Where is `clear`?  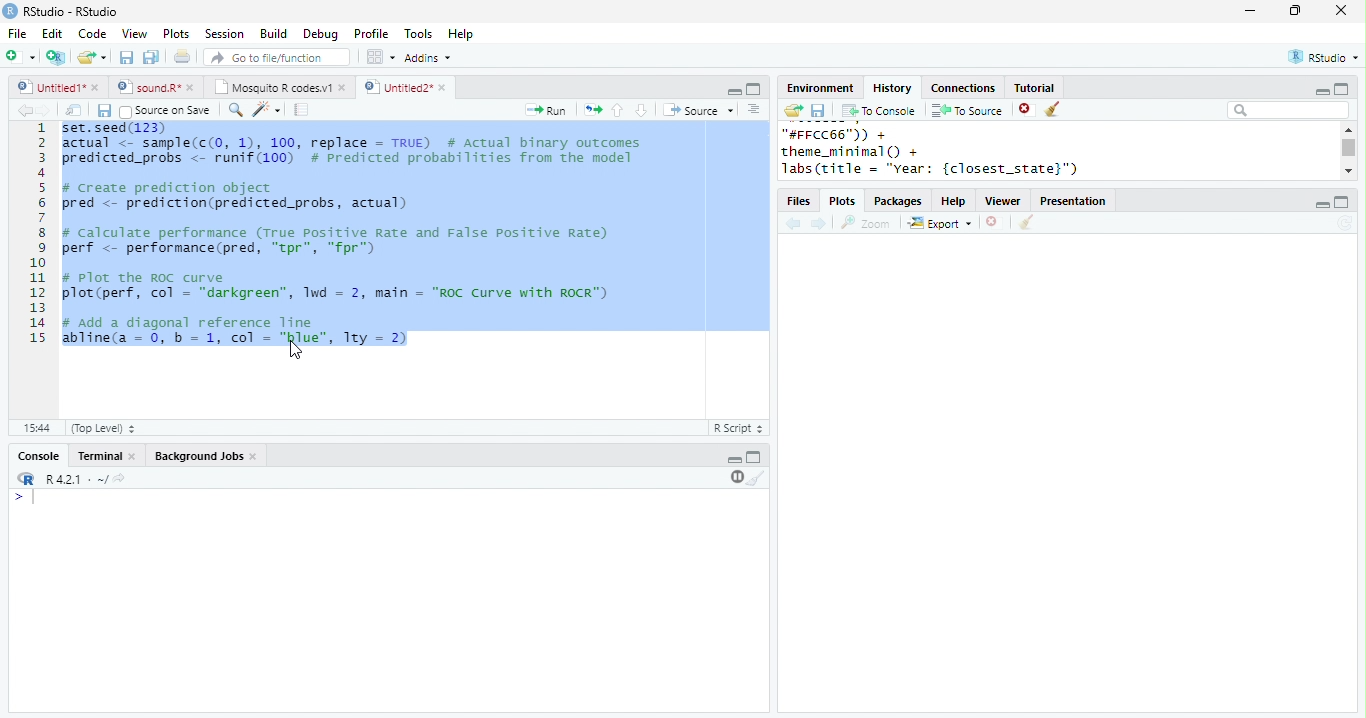
clear is located at coordinates (1026, 223).